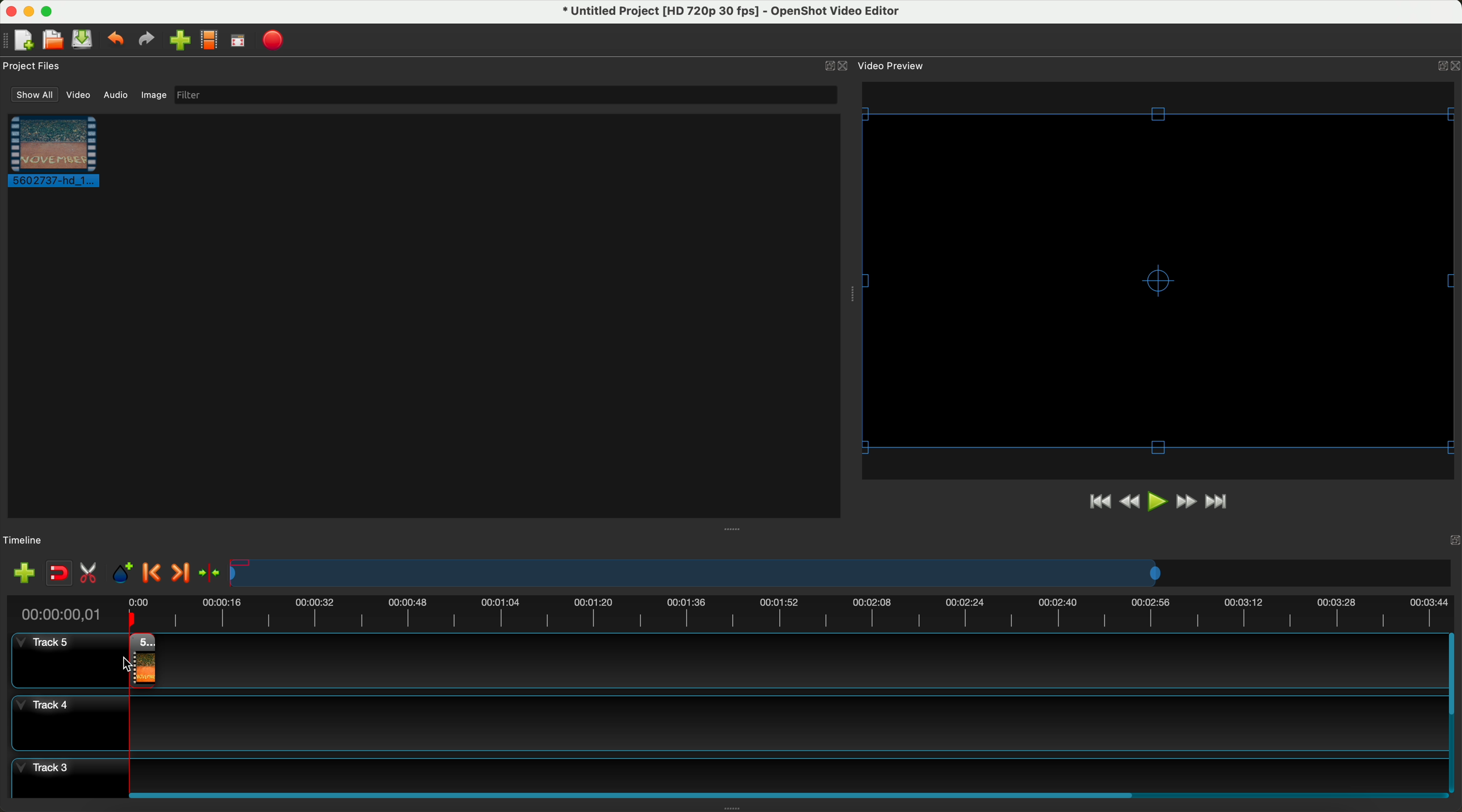 Image resolution: width=1462 pixels, height=812 pixels. I want to click on save project, so click(83, 39).